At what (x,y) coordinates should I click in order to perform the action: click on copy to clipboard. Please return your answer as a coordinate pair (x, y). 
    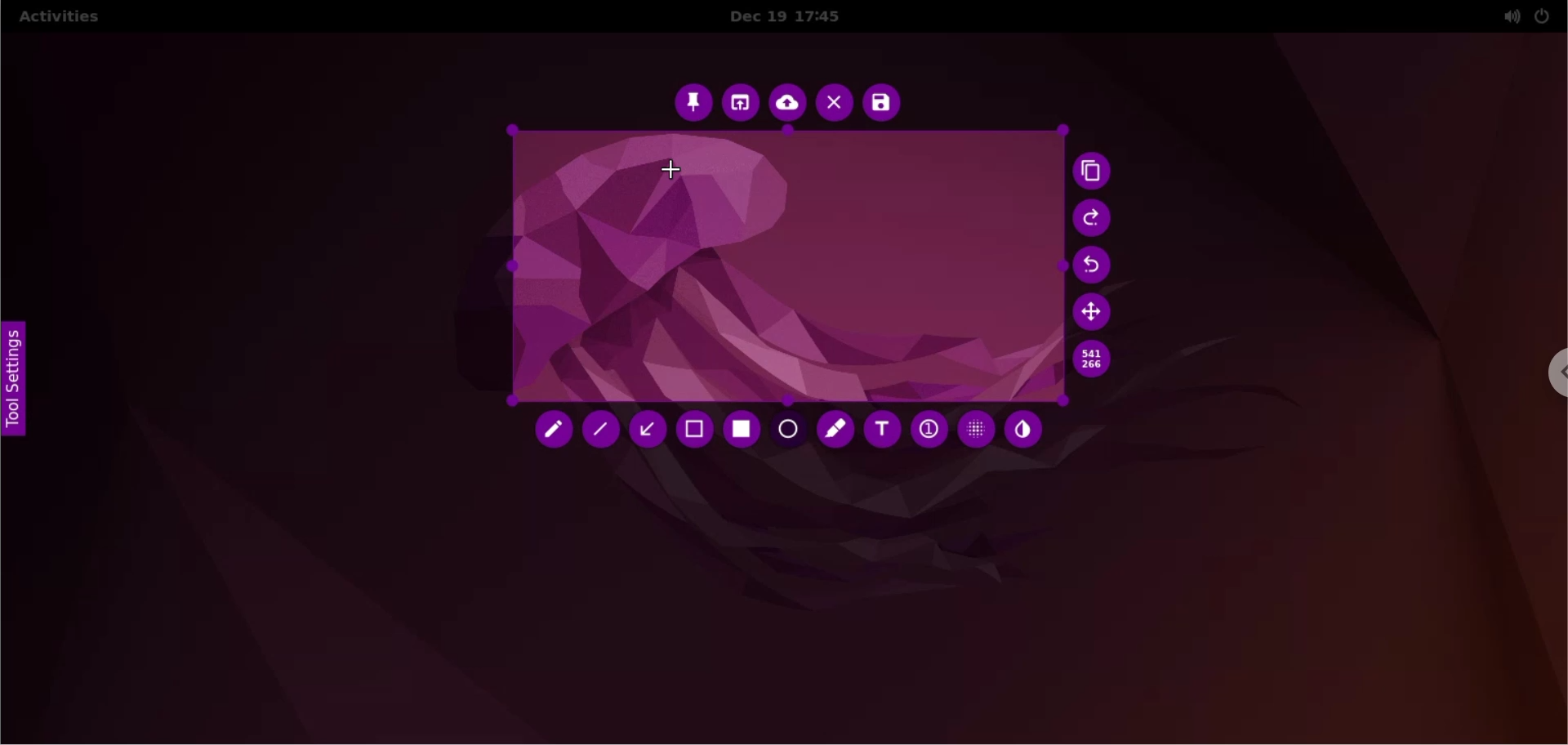
    Looking at the image, I should click on (1096, 173).